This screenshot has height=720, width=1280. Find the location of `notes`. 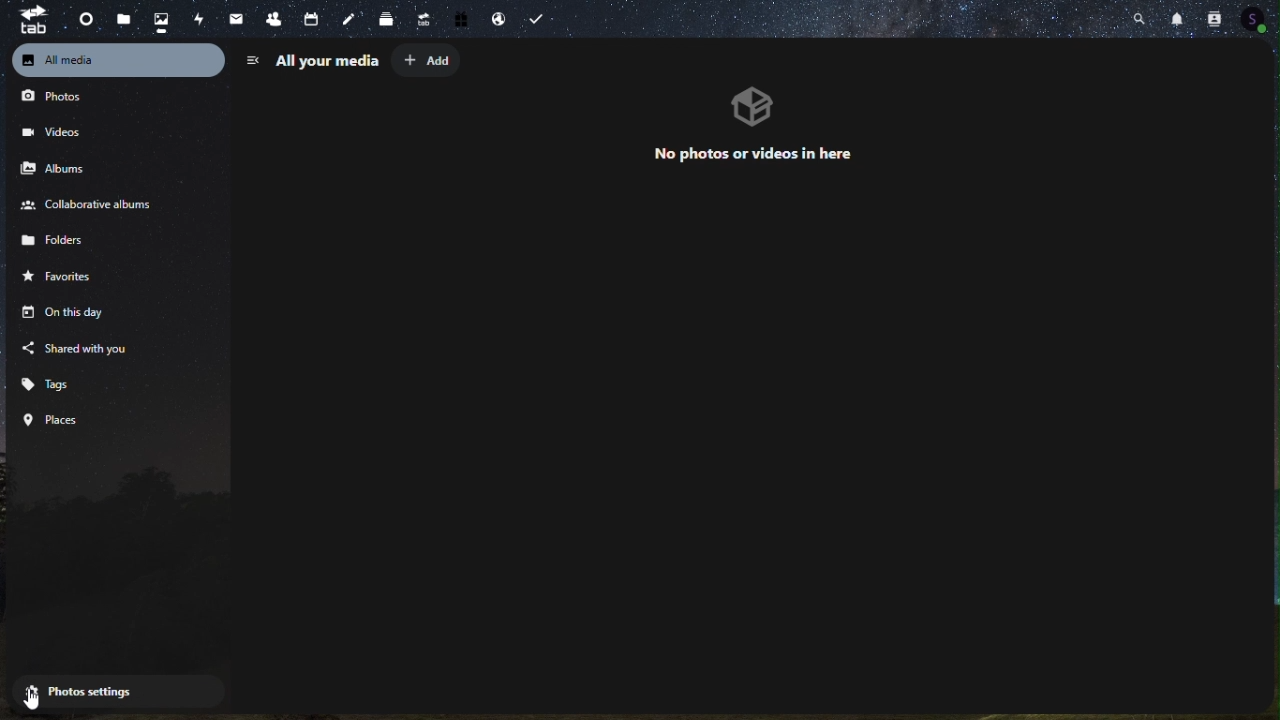

notes is located at coordinates (350, 20).